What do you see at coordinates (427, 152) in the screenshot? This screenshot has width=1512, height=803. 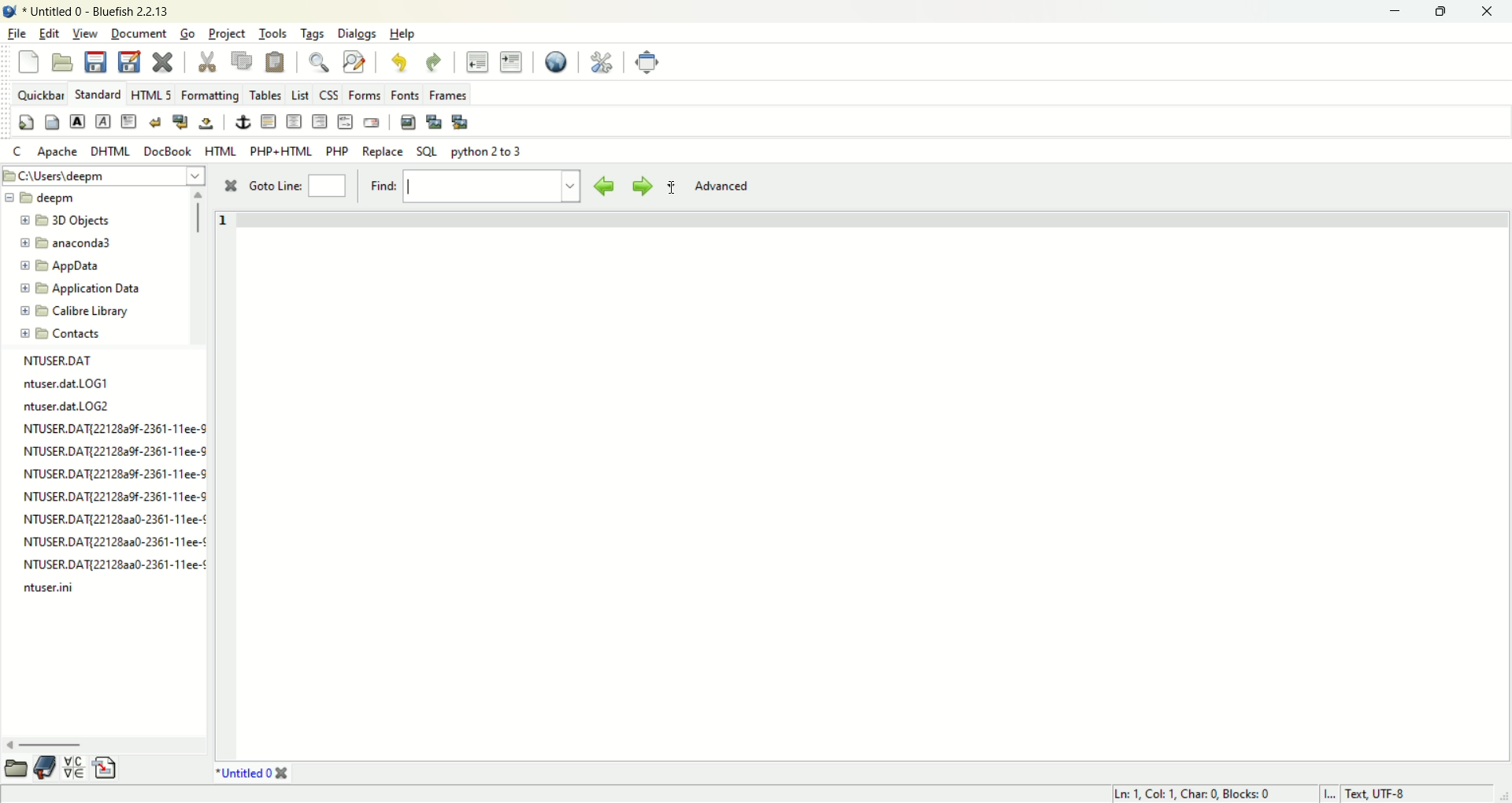 I see `SQL` at bounding box center [427, 152].